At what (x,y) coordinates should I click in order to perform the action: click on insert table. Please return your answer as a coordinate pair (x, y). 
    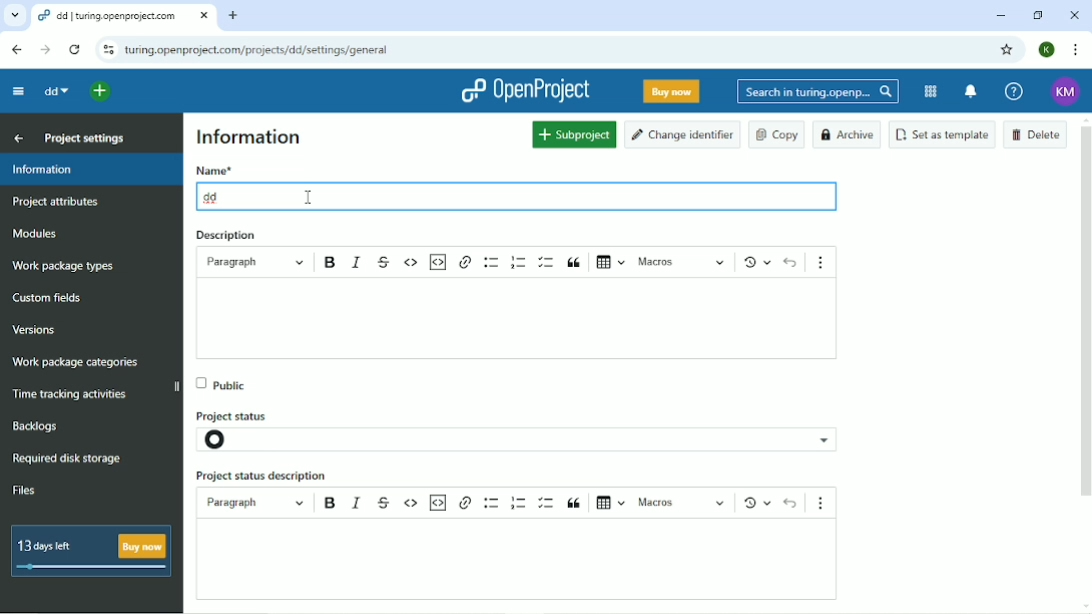
    Looking at the image, I should click on (611, 500).